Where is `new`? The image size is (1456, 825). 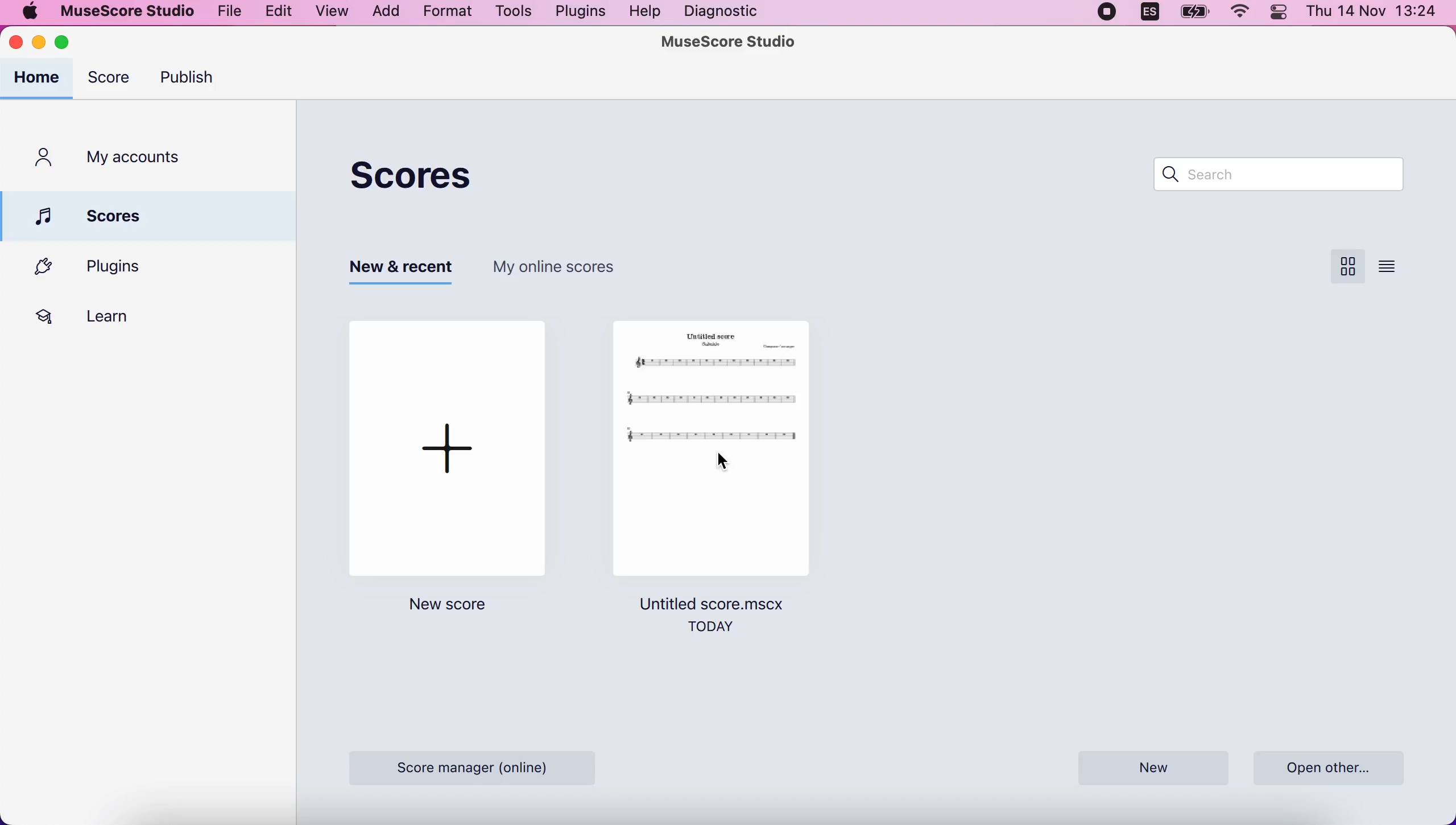
new is located at coordinates (1156, 766).